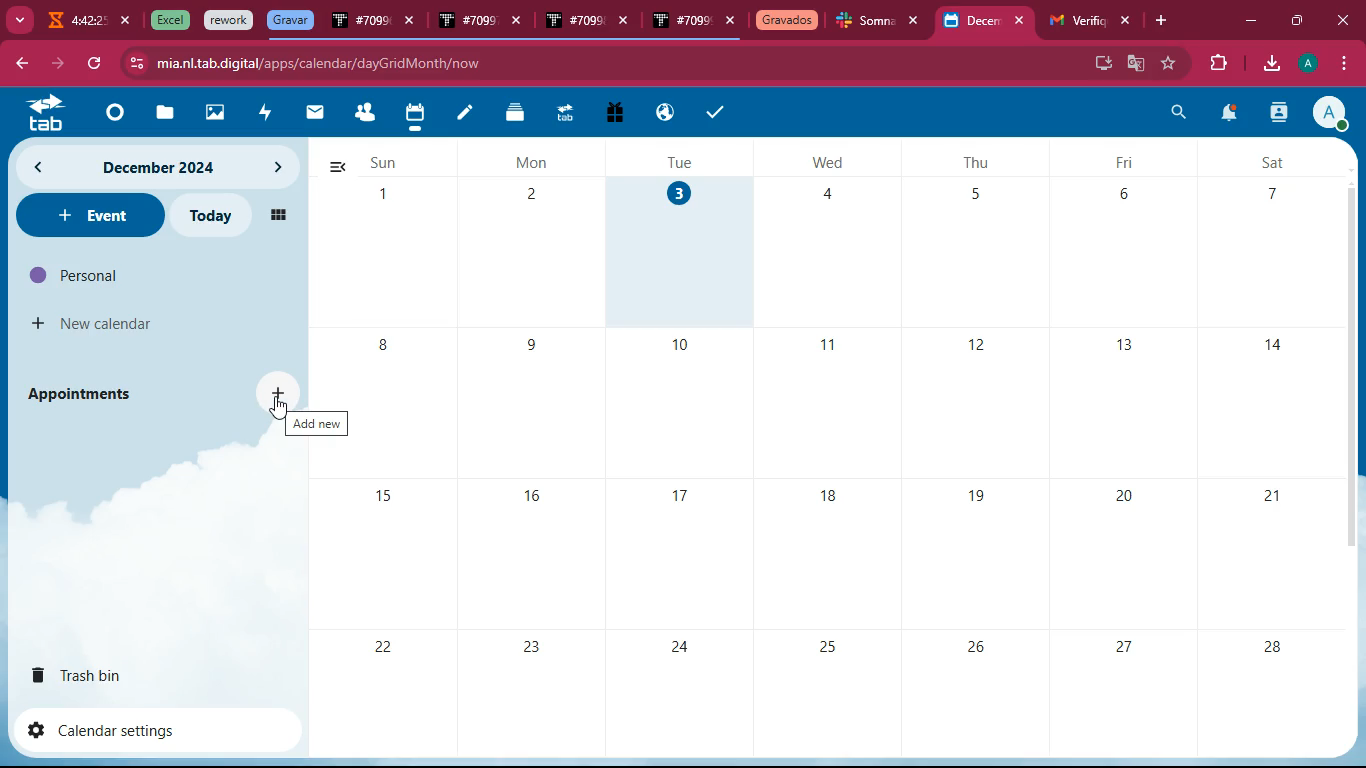  What do you see at coordinates (1329, 112) in the screenshot?
I see `profile` at bounding box center [1329, 112].